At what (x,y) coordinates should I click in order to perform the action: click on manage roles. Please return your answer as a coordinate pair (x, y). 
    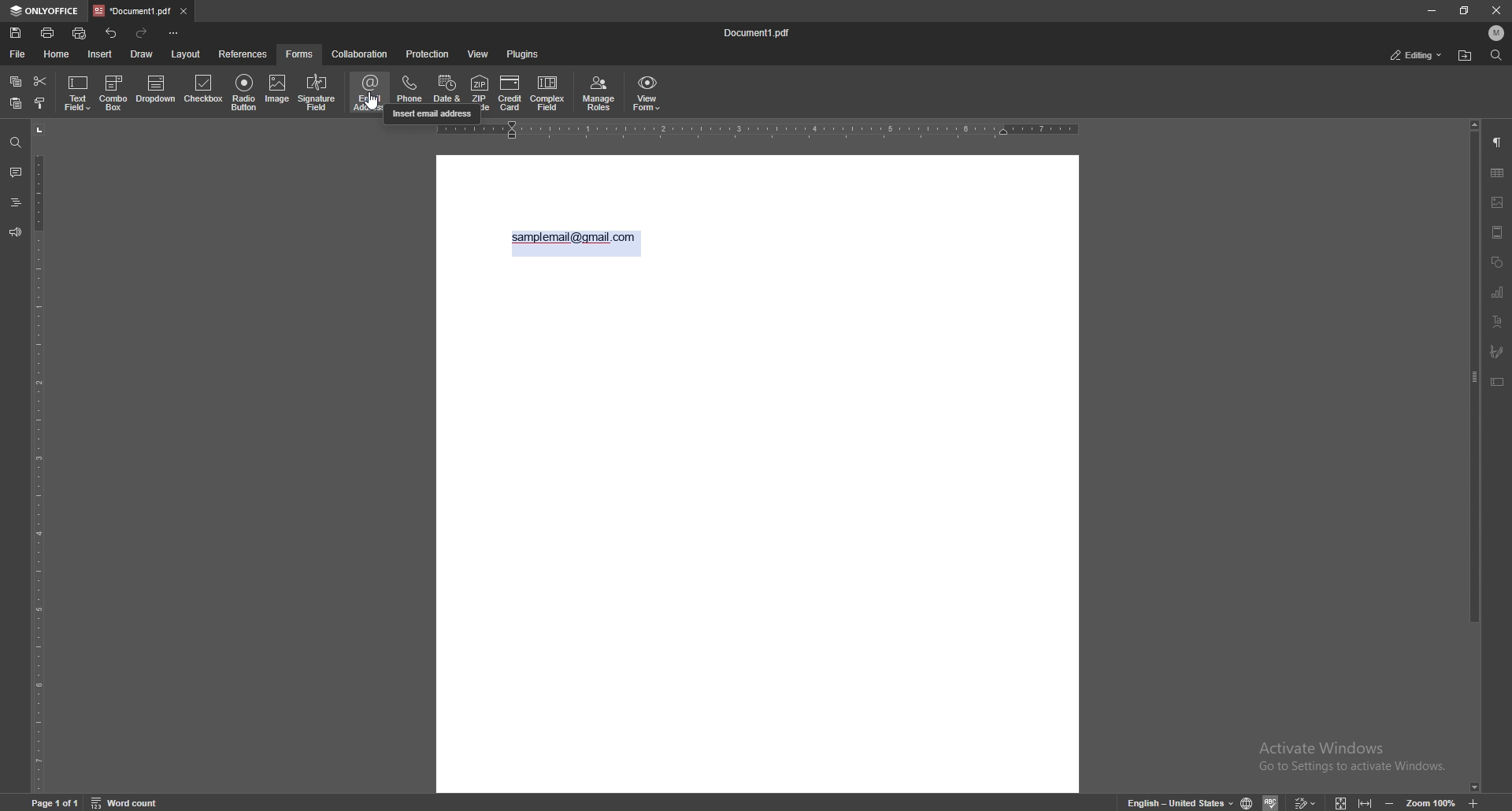
    Looking at the image, I should click on (599, 93).